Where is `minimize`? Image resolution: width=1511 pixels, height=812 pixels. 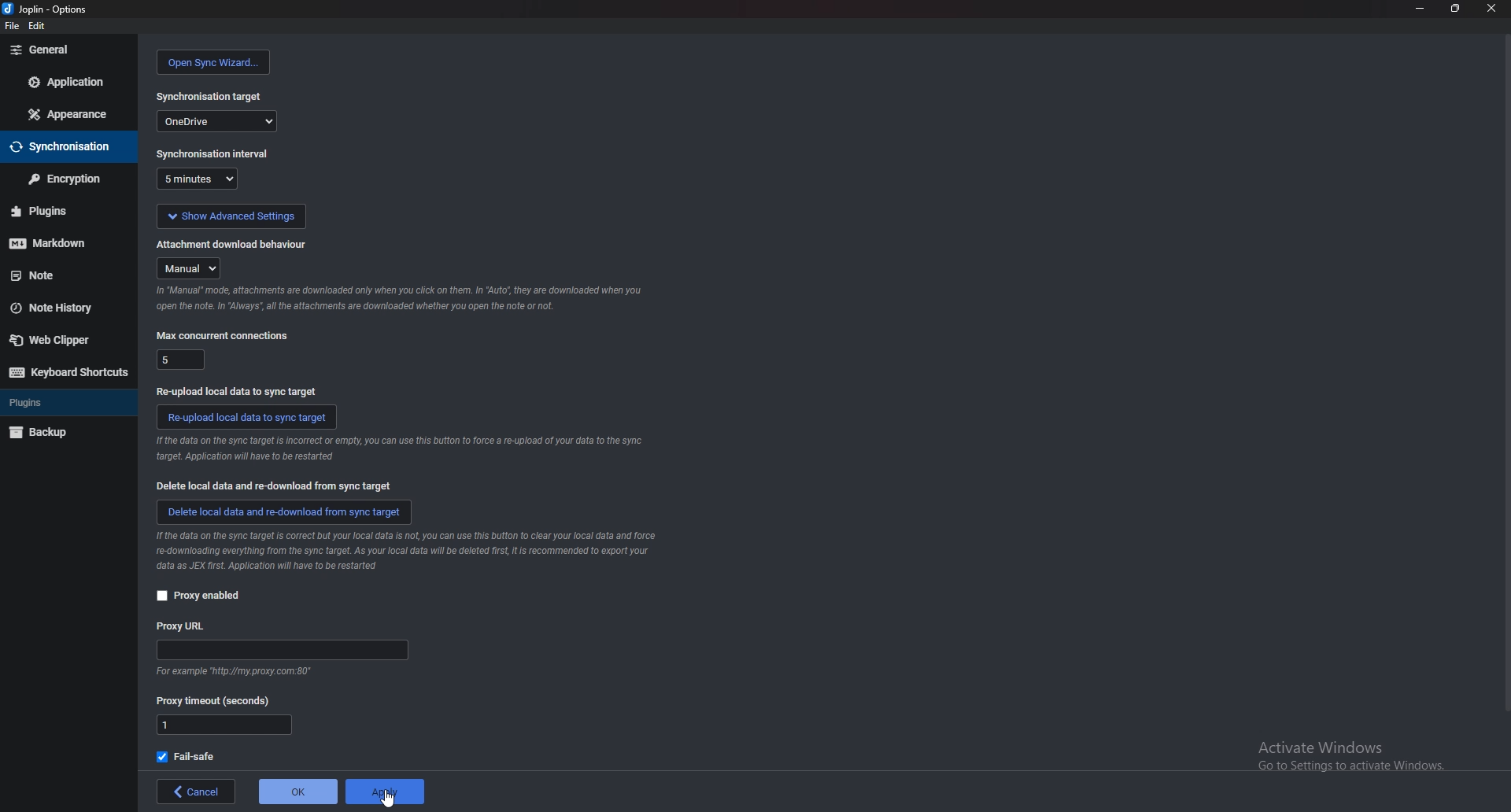
minimize is located at coordinates (1420, 7).